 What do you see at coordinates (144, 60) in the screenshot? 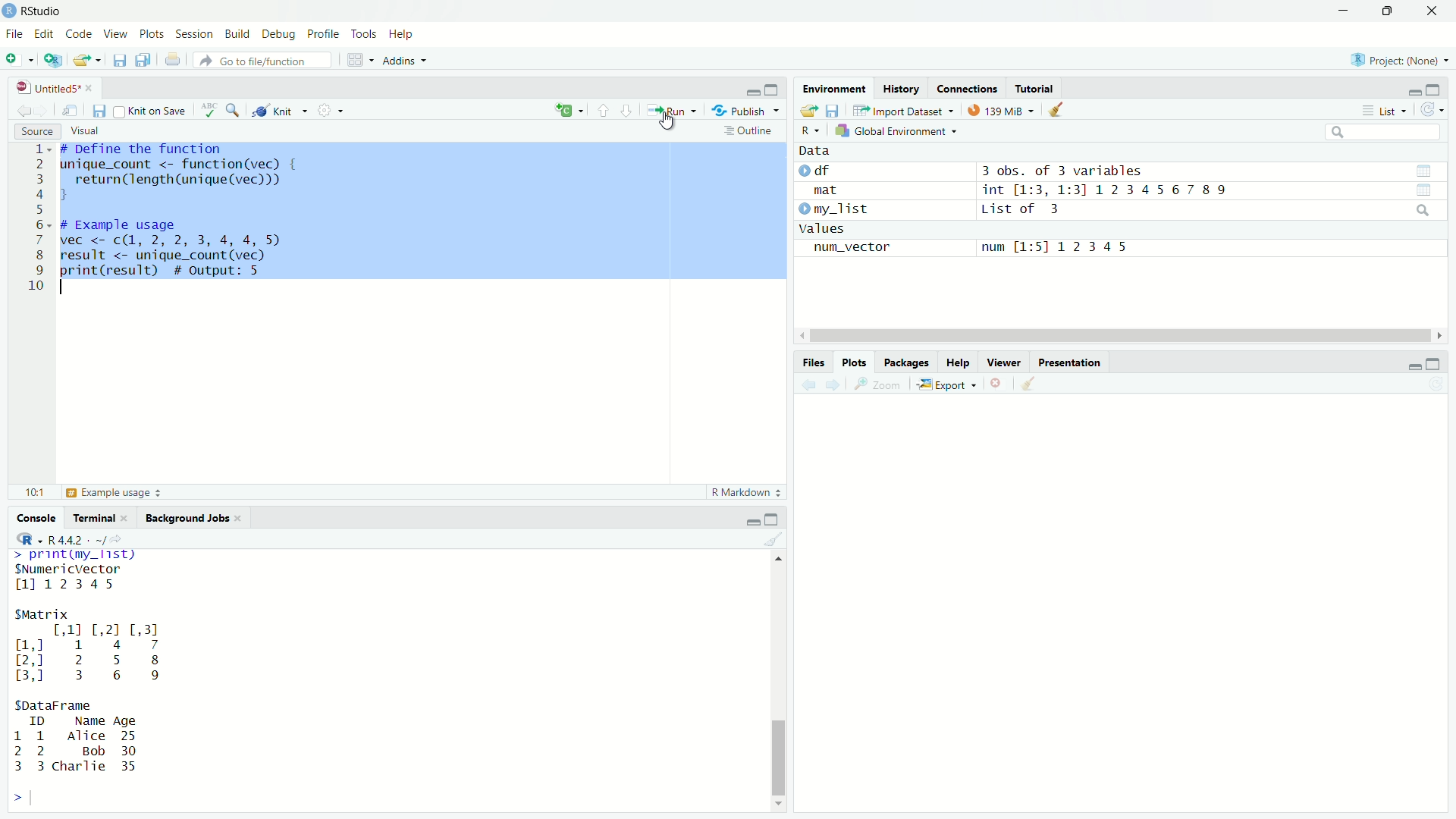
I see `save all` at bounding box center [144, 60].